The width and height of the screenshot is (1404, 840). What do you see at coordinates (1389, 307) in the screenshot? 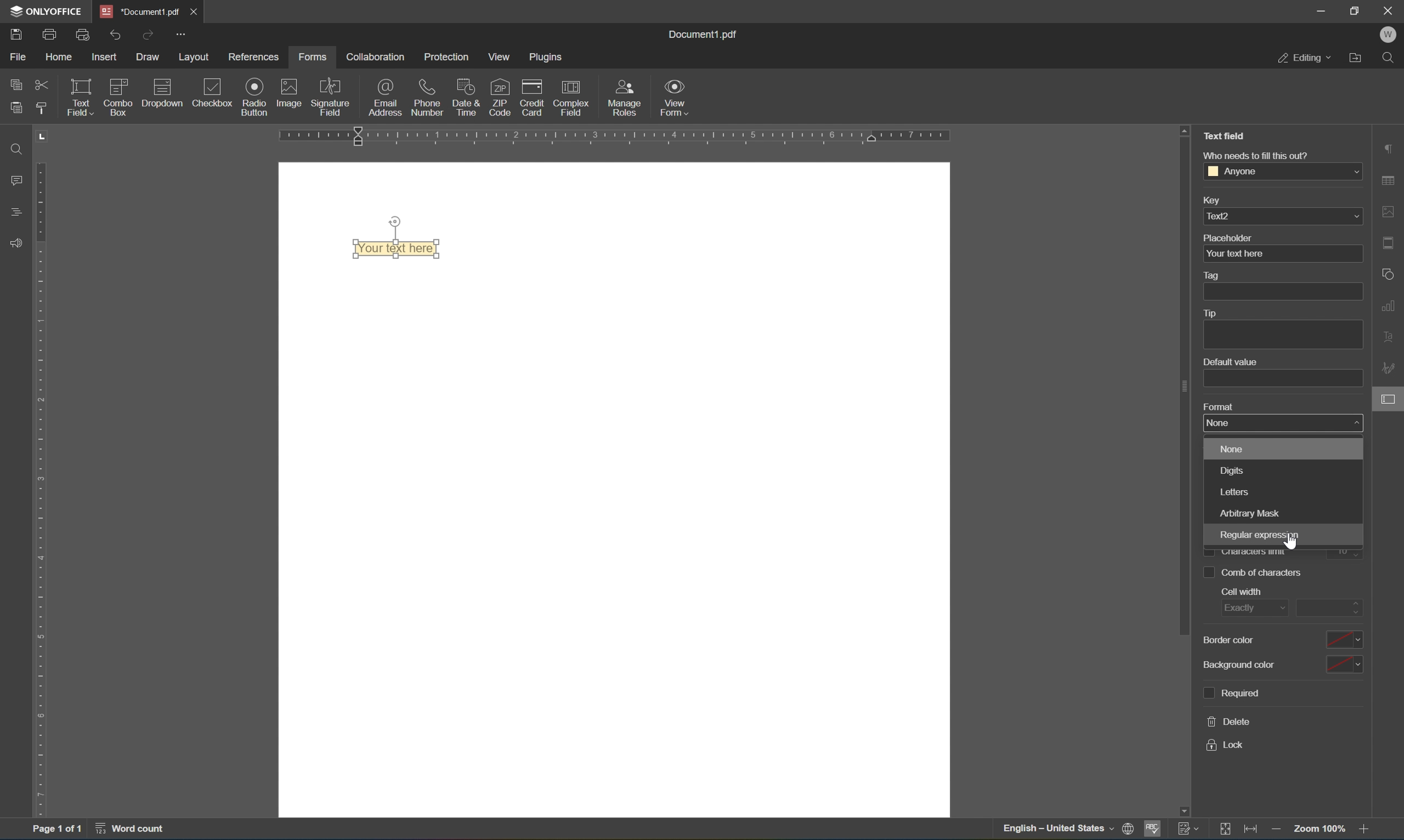
I see `chart settings` at bounding box center [1389, 307].